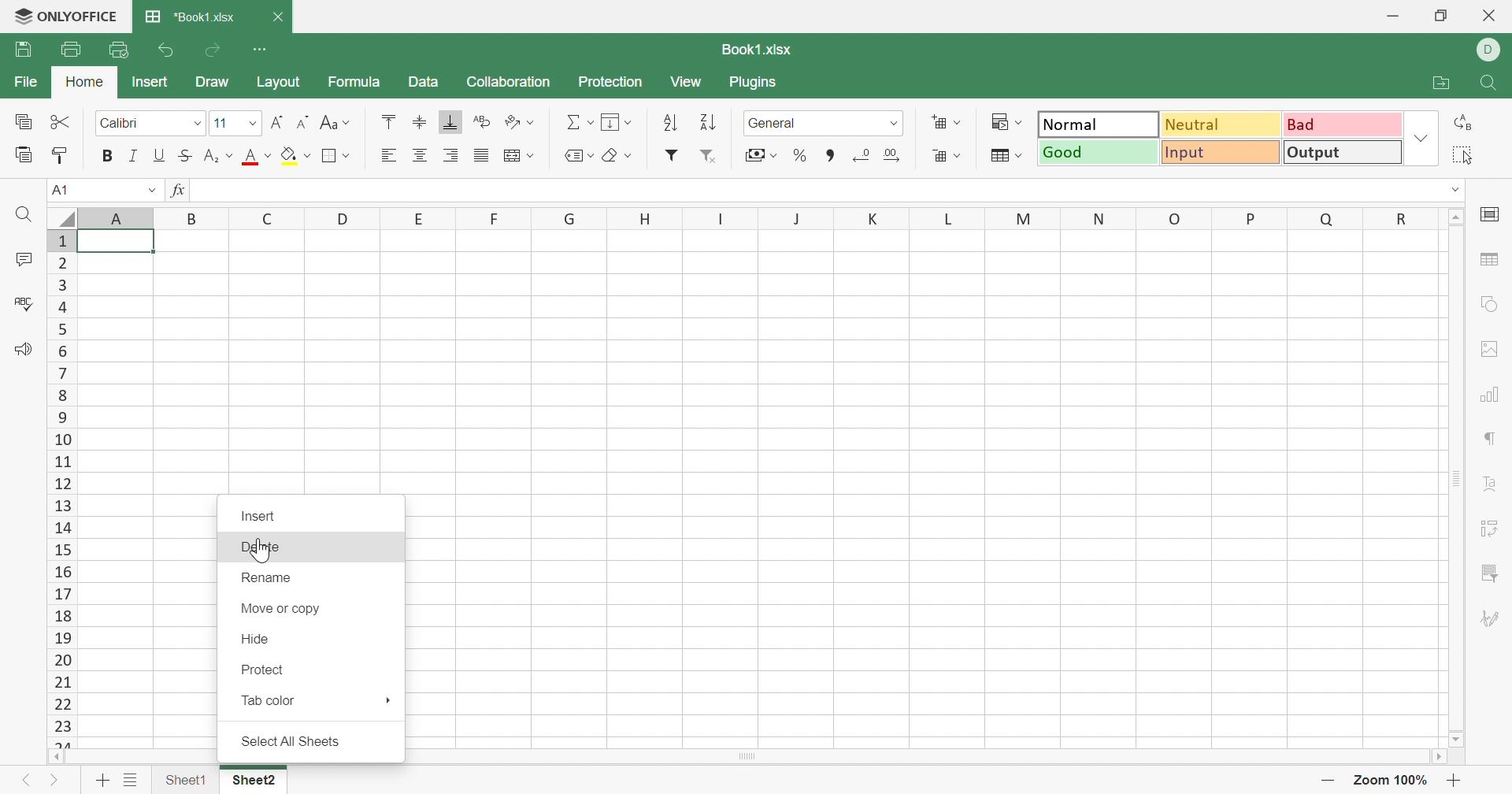 This screenshot has width=1512, height=794. What do you see at coordinates (250, 156) in the screenshot?
I see `font color` at bounding box center [250, 156].